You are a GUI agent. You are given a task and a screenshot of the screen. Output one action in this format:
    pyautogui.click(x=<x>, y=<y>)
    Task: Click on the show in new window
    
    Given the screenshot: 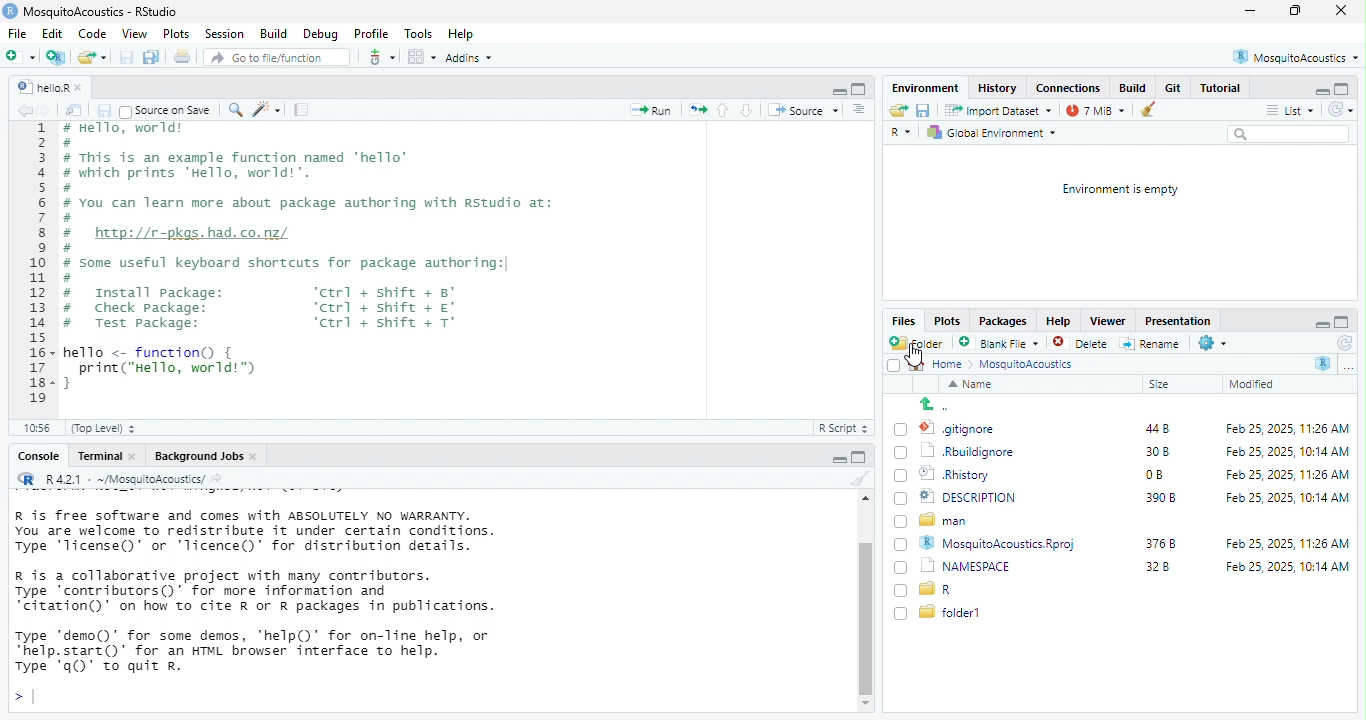 What is the action you would take?
    pyautogui.click(x=77, y=110)
    